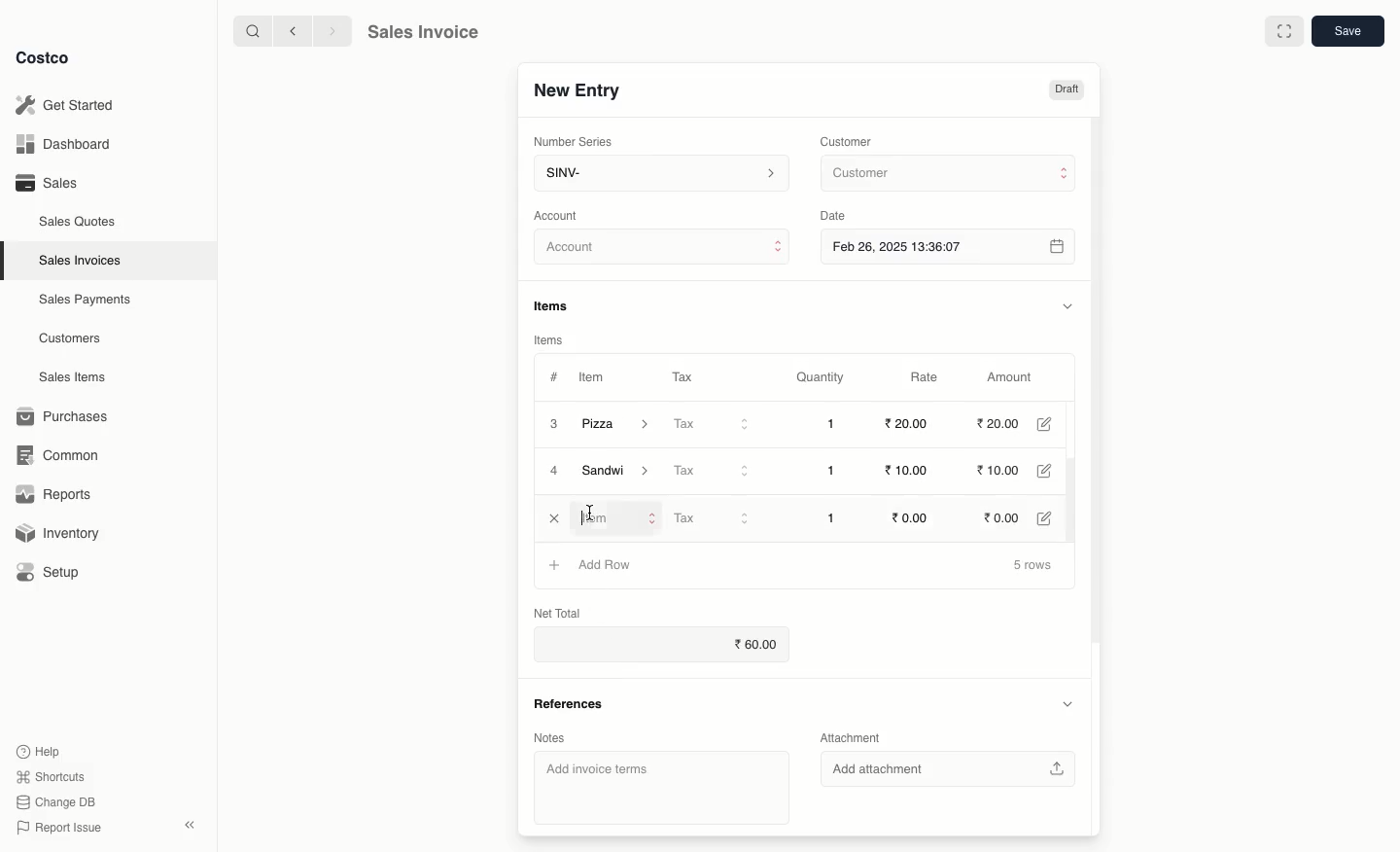  I want to click on Add Row, so click(605, 562).